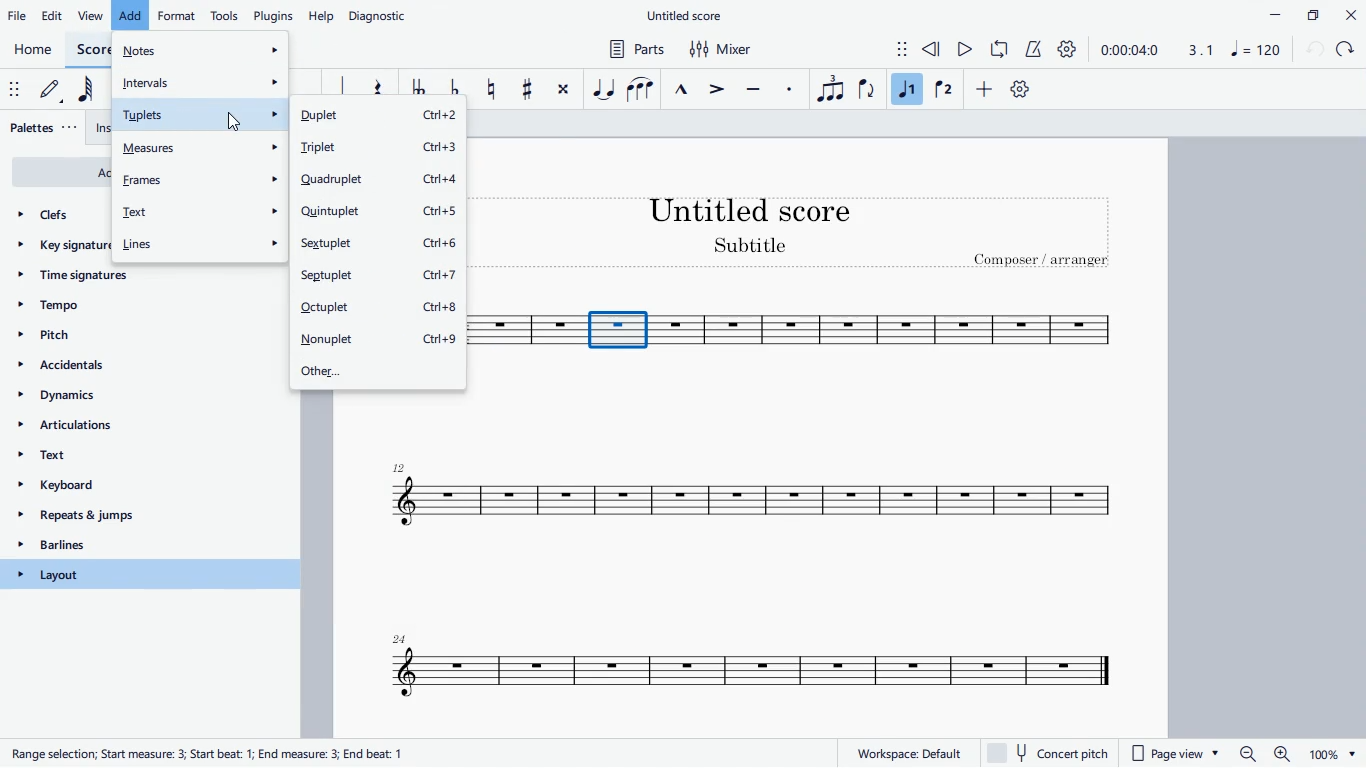  I want to click on toggle double flat, so click(417, 91).